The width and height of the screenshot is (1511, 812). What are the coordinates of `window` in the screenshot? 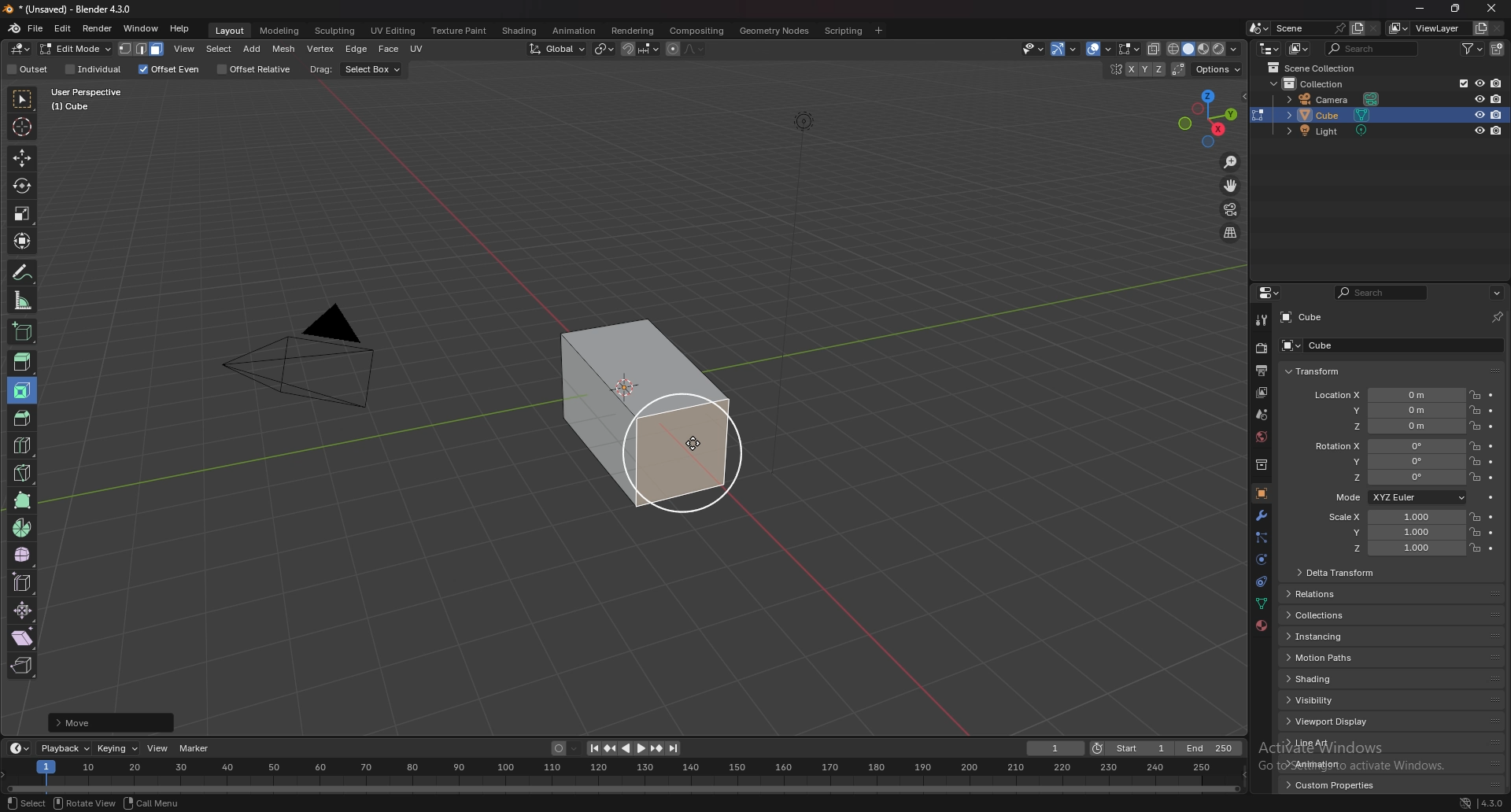 It's located at (142, 28).